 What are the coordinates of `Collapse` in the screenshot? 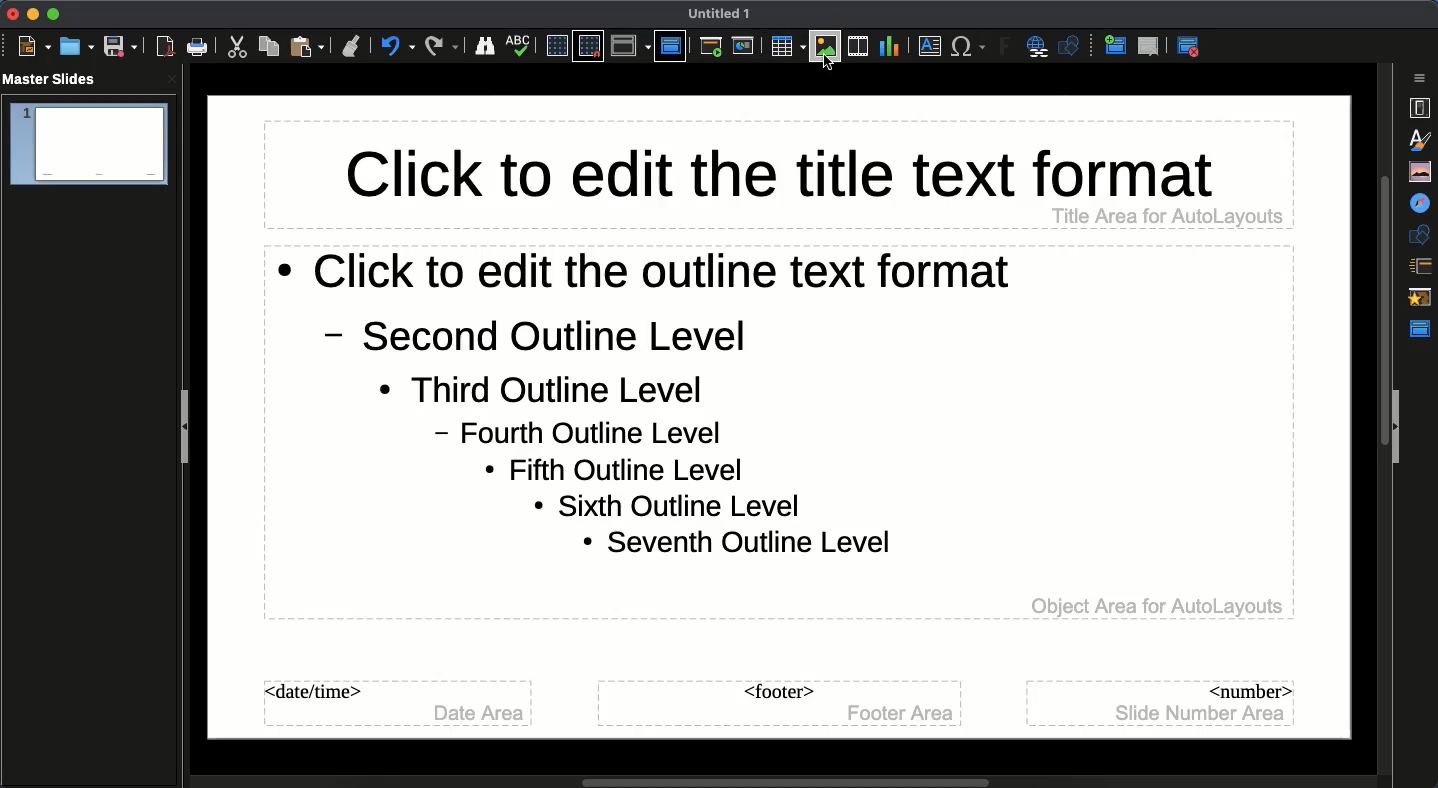 It's located at (1398, 428).